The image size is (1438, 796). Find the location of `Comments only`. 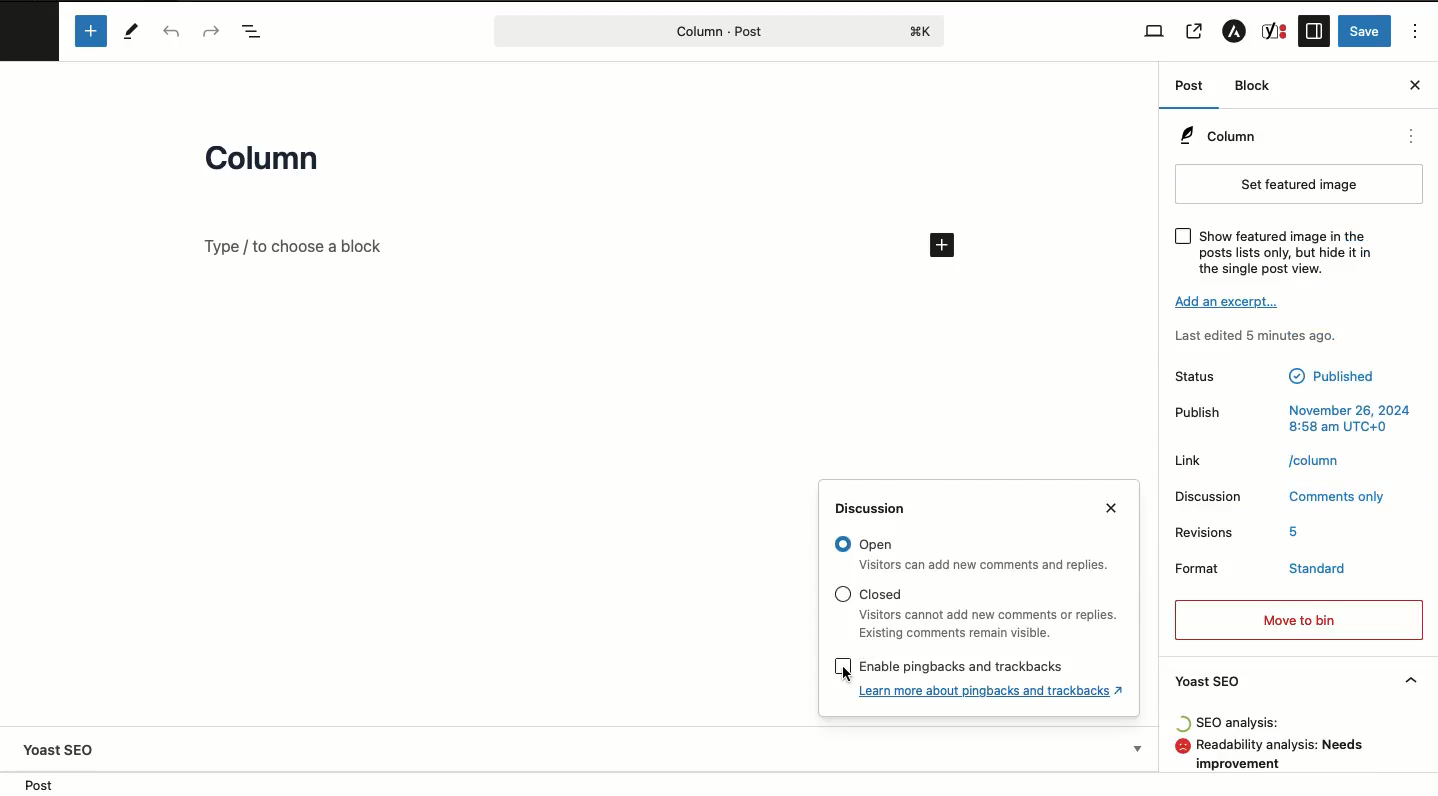

Comments only is located at coordinates (1339, 494).